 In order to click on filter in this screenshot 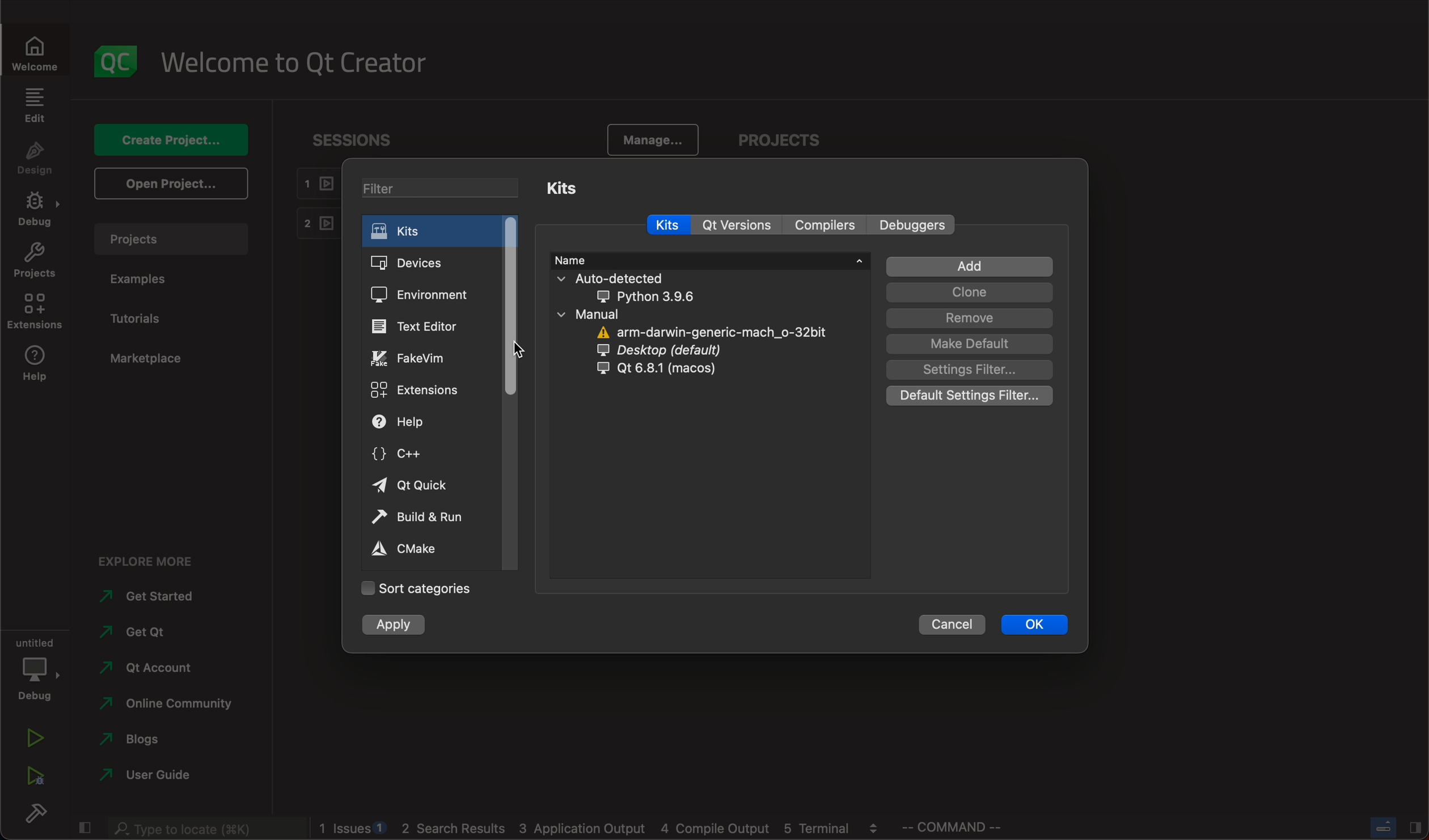, I will do `click(443, 188)`.